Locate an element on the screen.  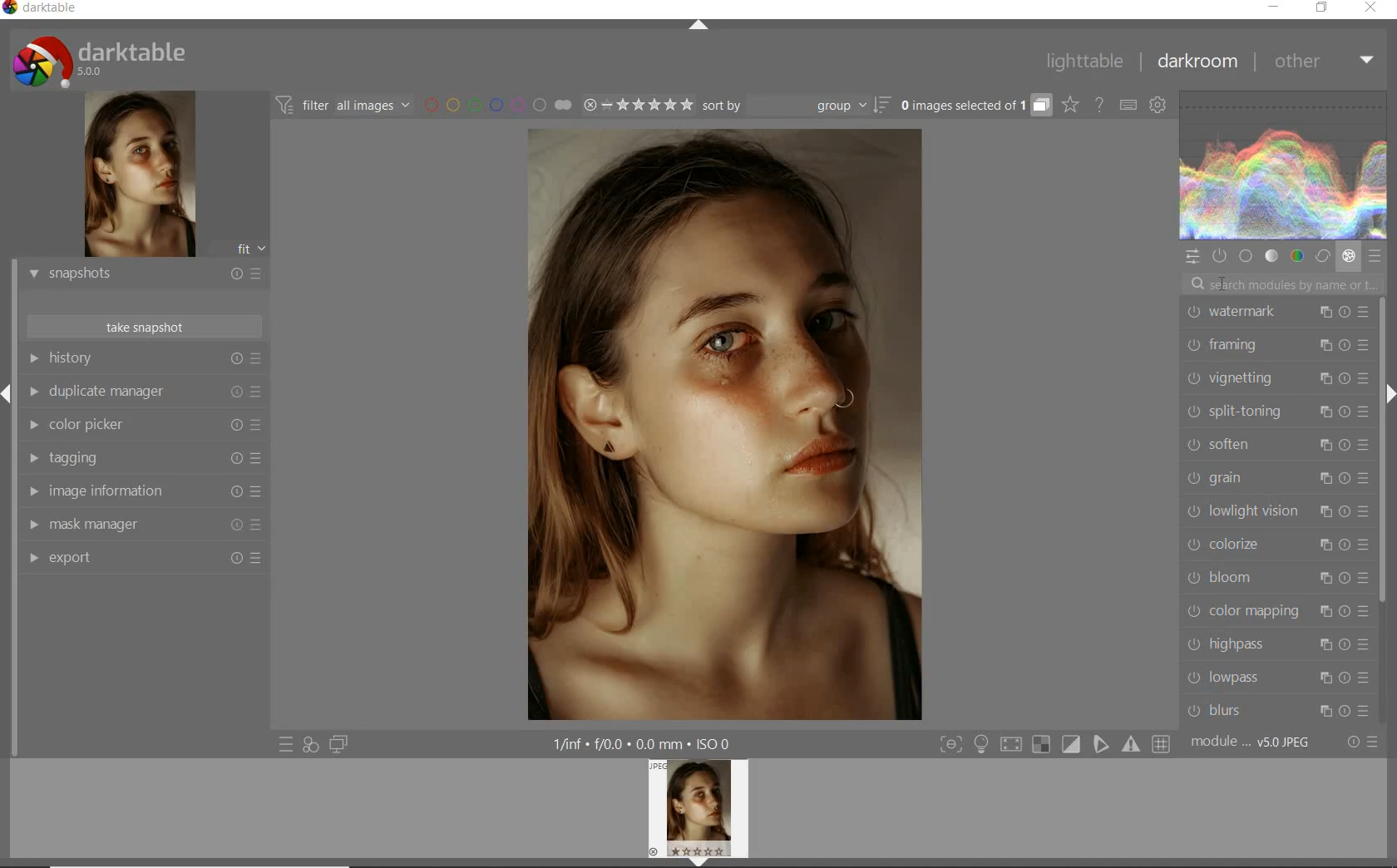
effect is located at coordinates (1348, 256).